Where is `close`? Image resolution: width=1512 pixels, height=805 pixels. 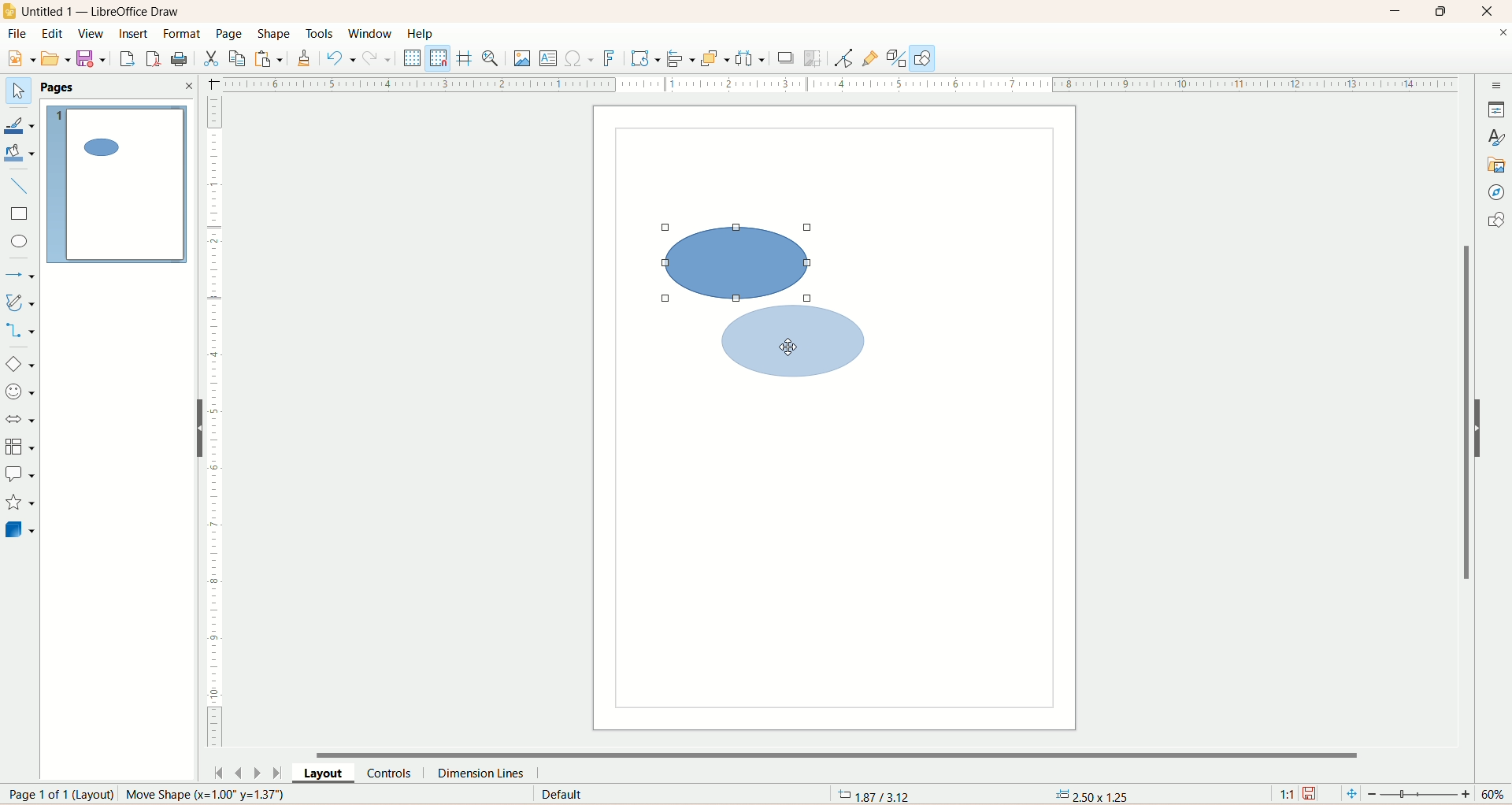 close is located at coordinates (188, 87).